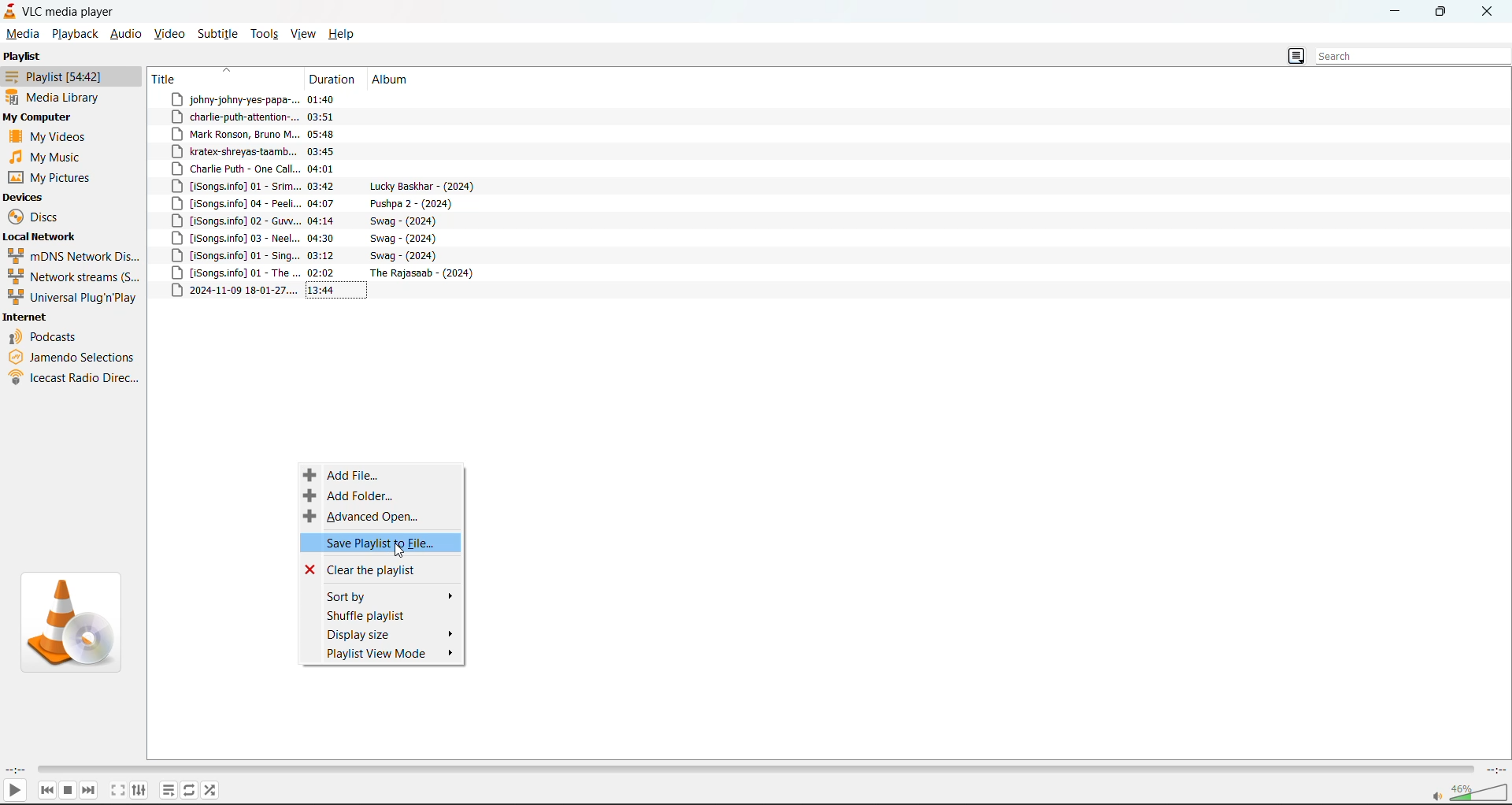 The image size is (1512, 805). Describe the element at coordinates (1392, 10) in the screenshot. I see `minimize` at that location.